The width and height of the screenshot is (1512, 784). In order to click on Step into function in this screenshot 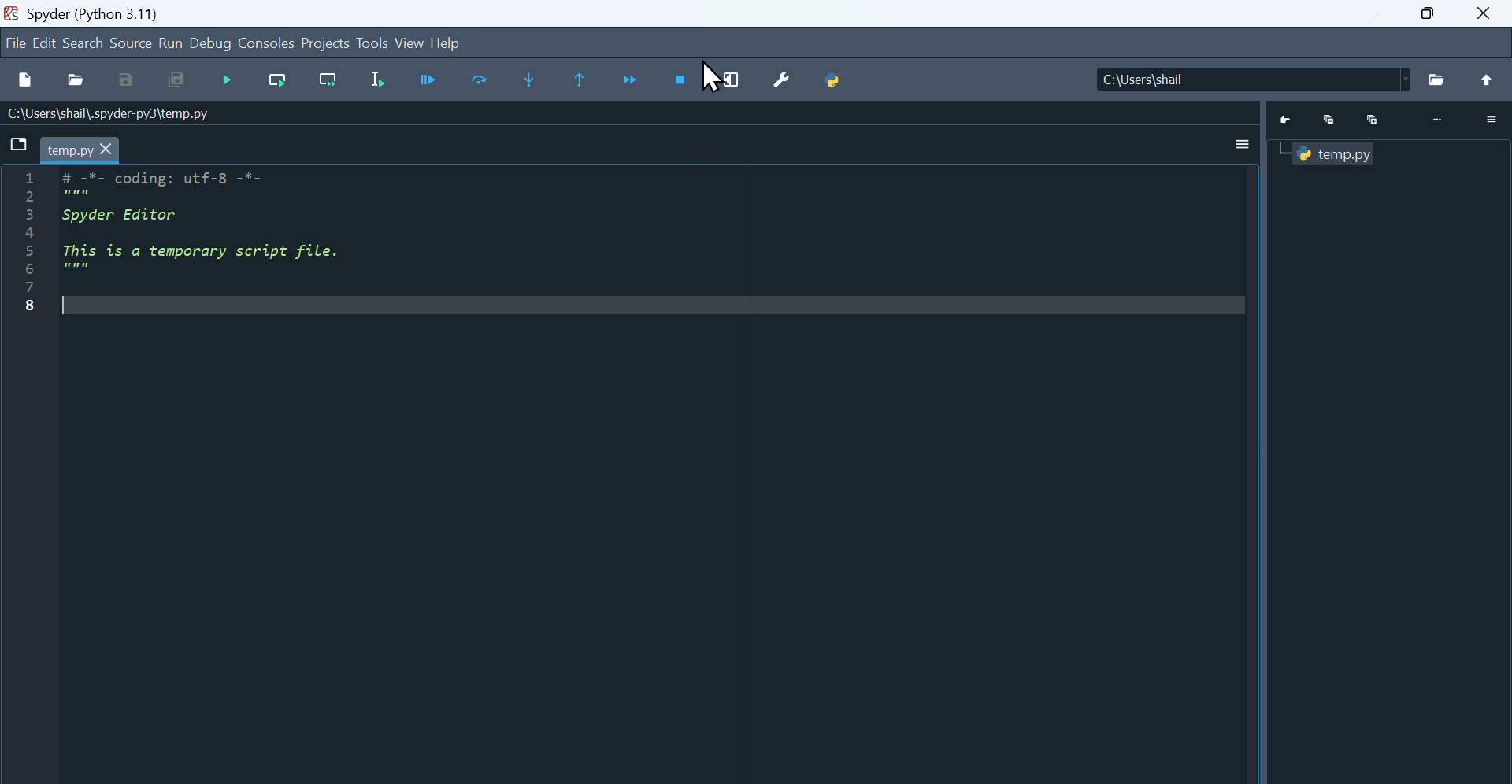, I will do `click(517, 82)`.